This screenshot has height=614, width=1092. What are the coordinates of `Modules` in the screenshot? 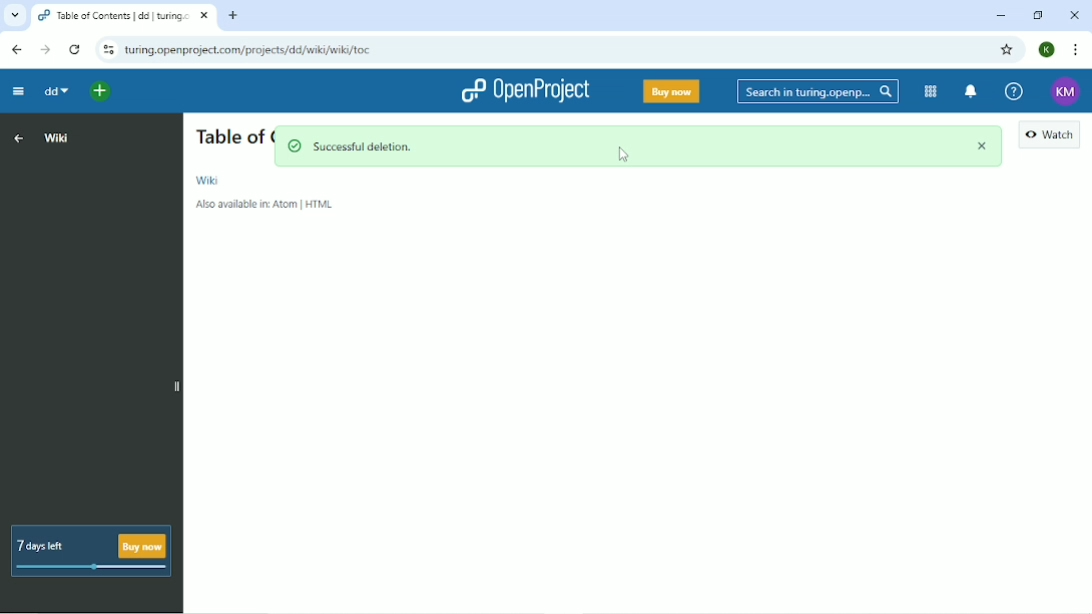 It's located at (930, 91).